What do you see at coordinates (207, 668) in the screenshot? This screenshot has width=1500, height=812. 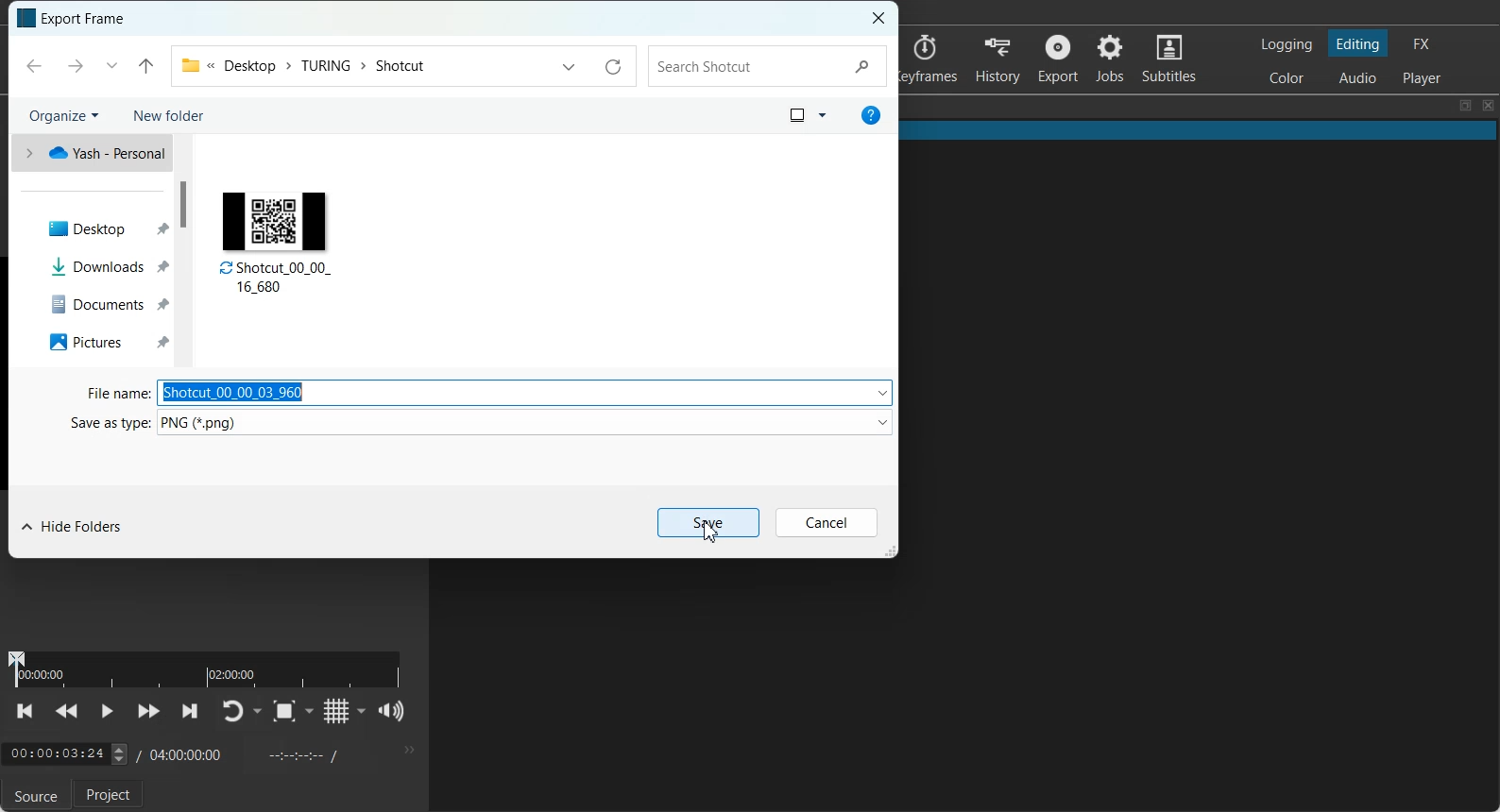 I see `duration` at bounding box center [207, 668].